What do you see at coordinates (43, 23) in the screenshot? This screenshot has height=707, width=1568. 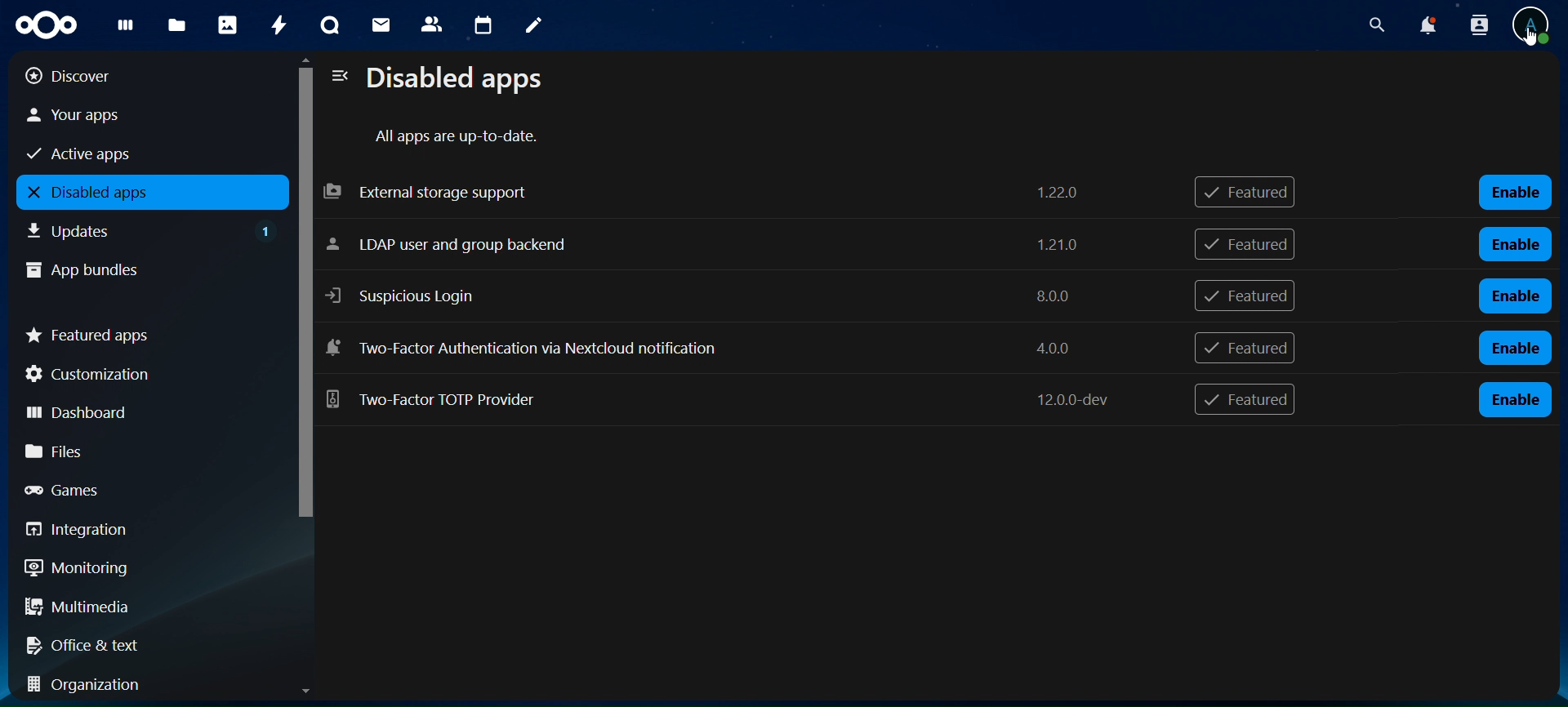 I see `icon` at bounding box center [43, 23].